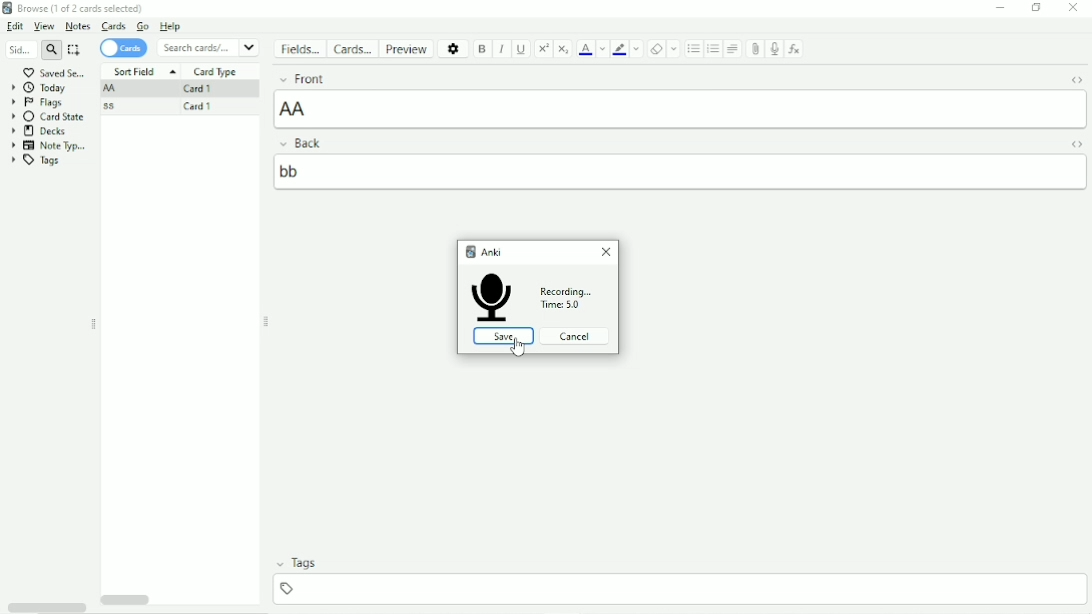  What do you see at coordinates (15, 27) in the screenshot?
I see `Edit` at bounding box center [15, 27].